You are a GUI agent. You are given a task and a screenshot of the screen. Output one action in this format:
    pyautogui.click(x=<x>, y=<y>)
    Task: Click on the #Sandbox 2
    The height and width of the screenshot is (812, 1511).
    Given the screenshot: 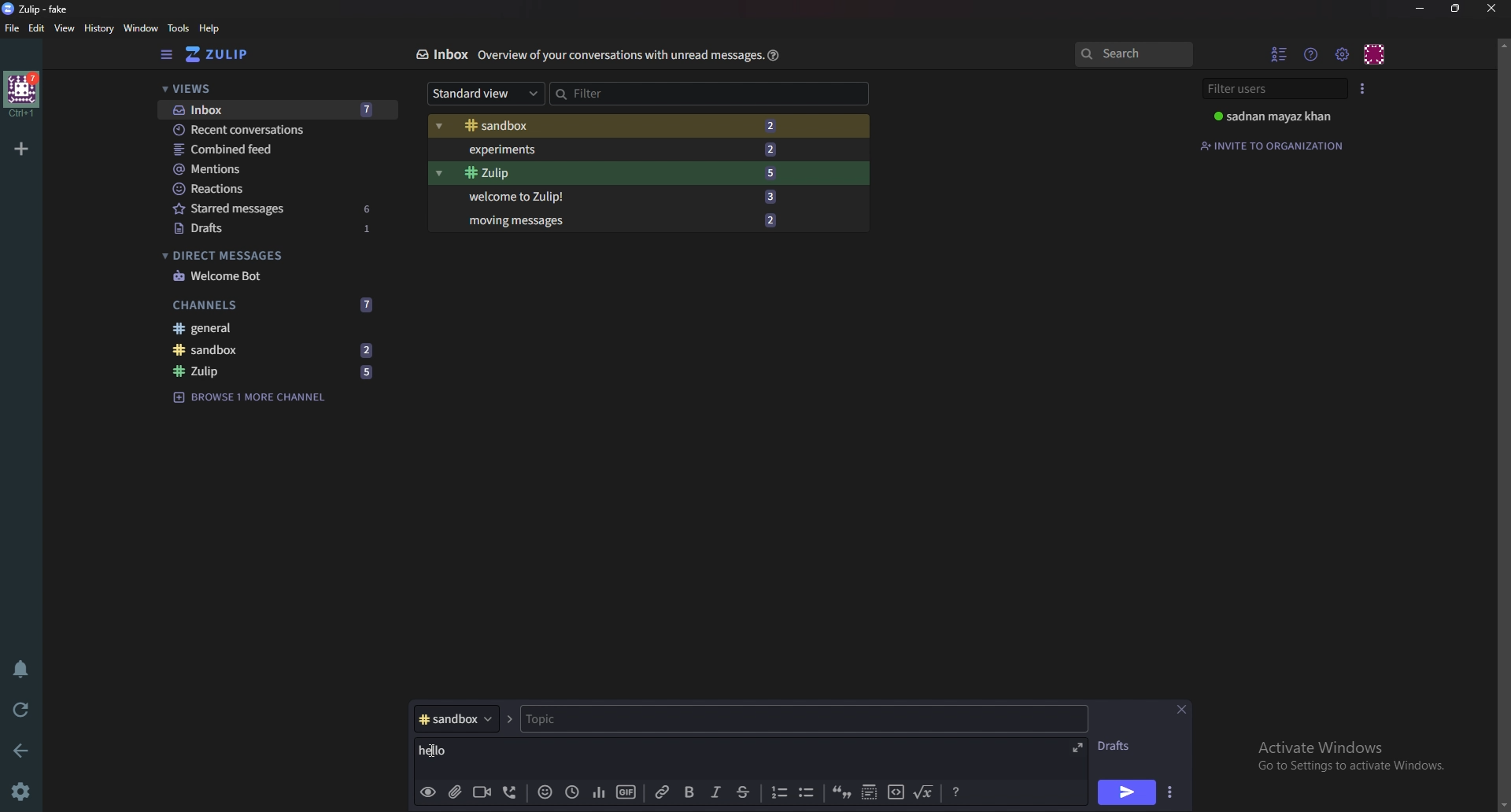 What is the action you would take?
    pyautogui.click(x=612, y=125)
    